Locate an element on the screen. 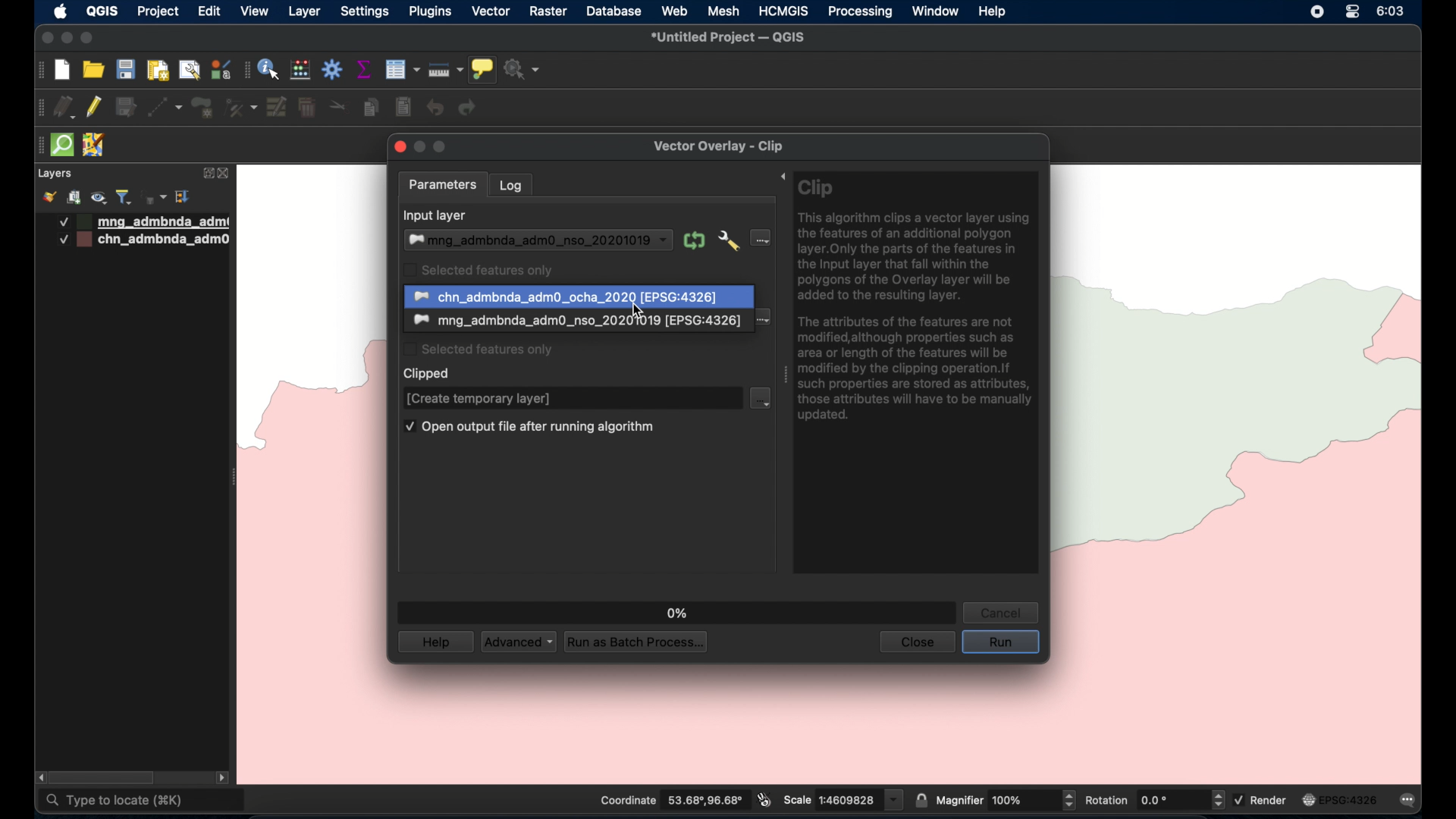 The width and height of the screenshot is (1456, 819). render is located at coordinates (1263, 799).